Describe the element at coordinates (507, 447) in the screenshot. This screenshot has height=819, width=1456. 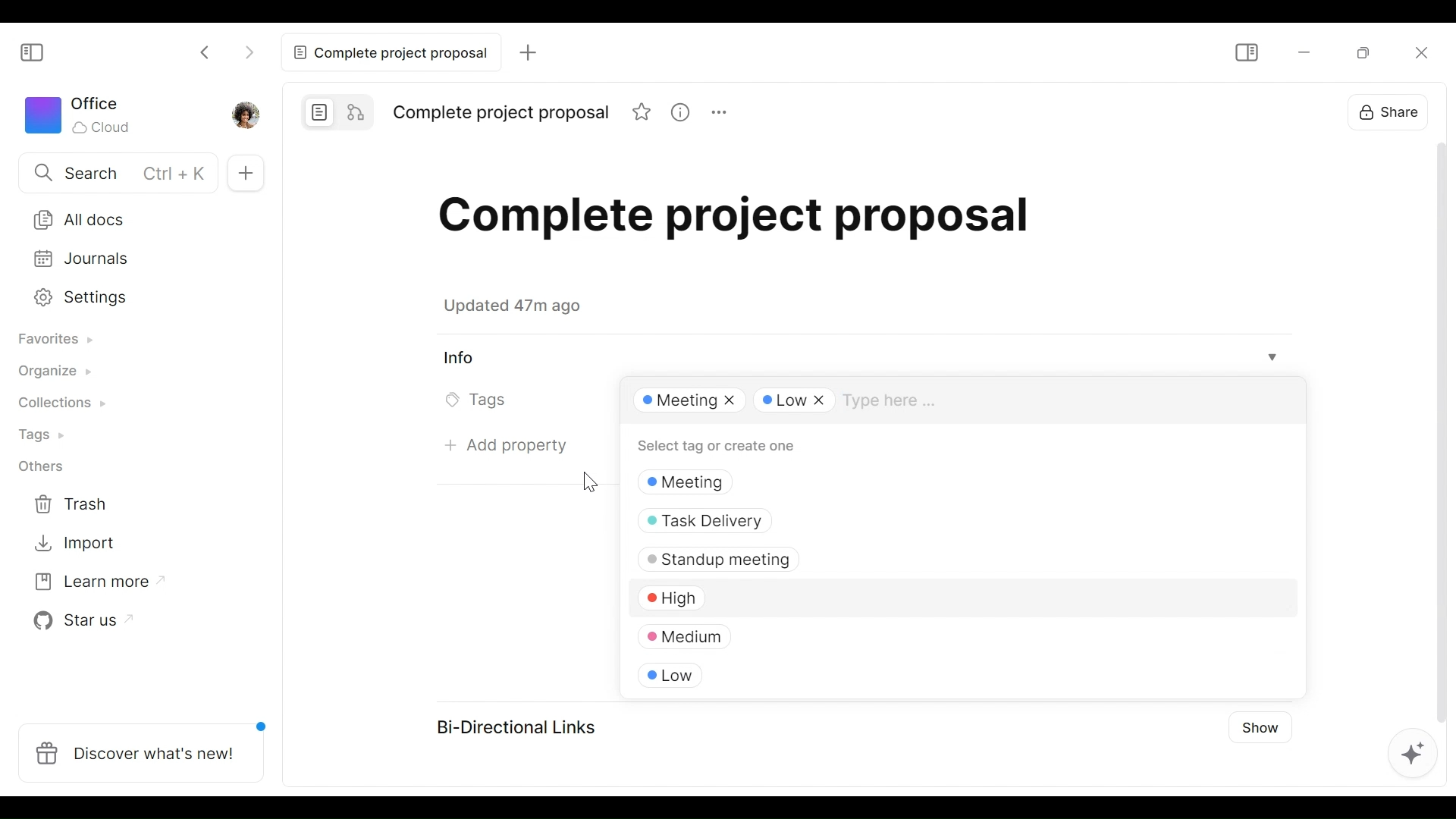
I see `Add property` at that location.